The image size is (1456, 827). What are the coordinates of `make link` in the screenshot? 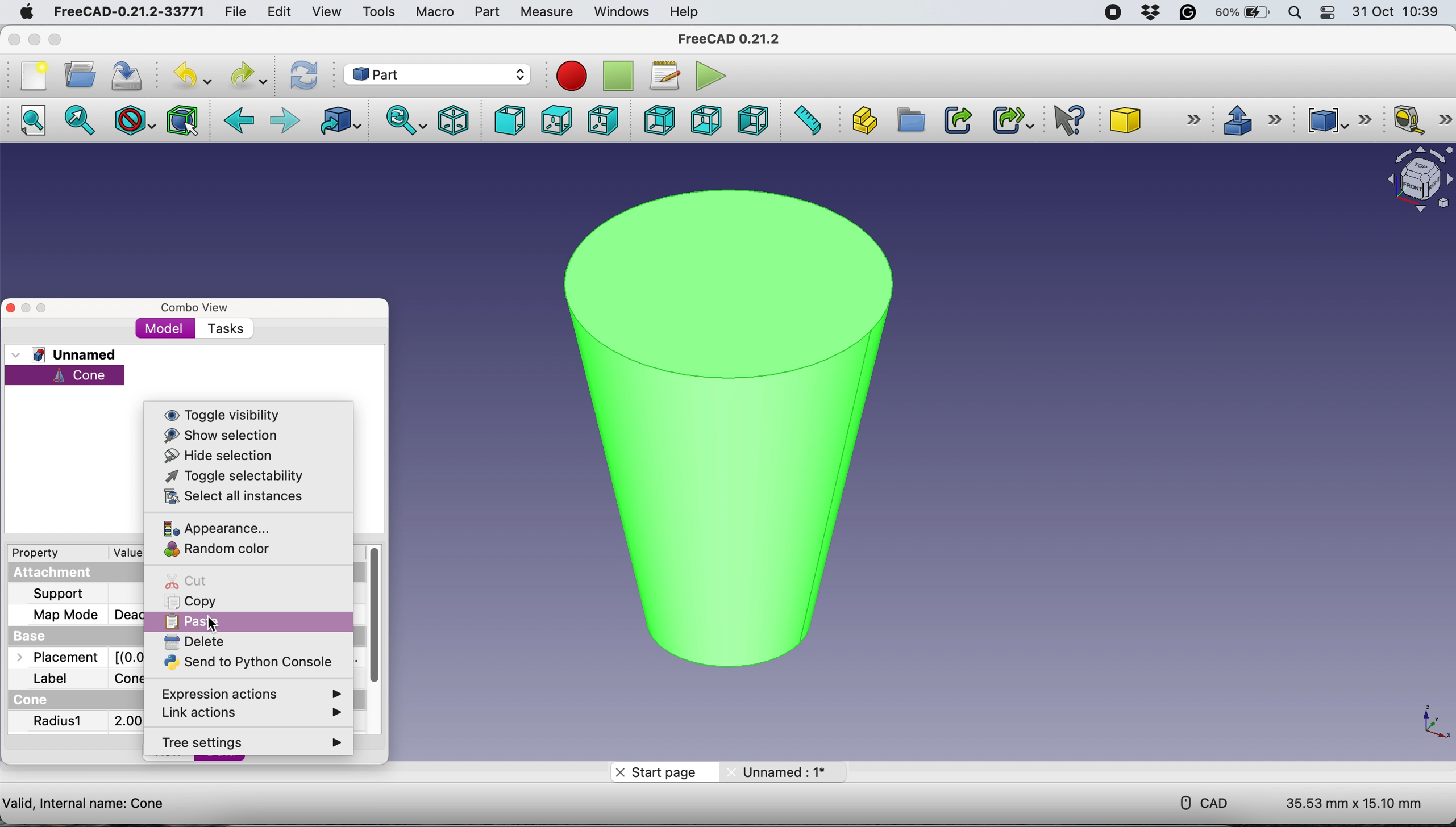 It's located at (958, 119).